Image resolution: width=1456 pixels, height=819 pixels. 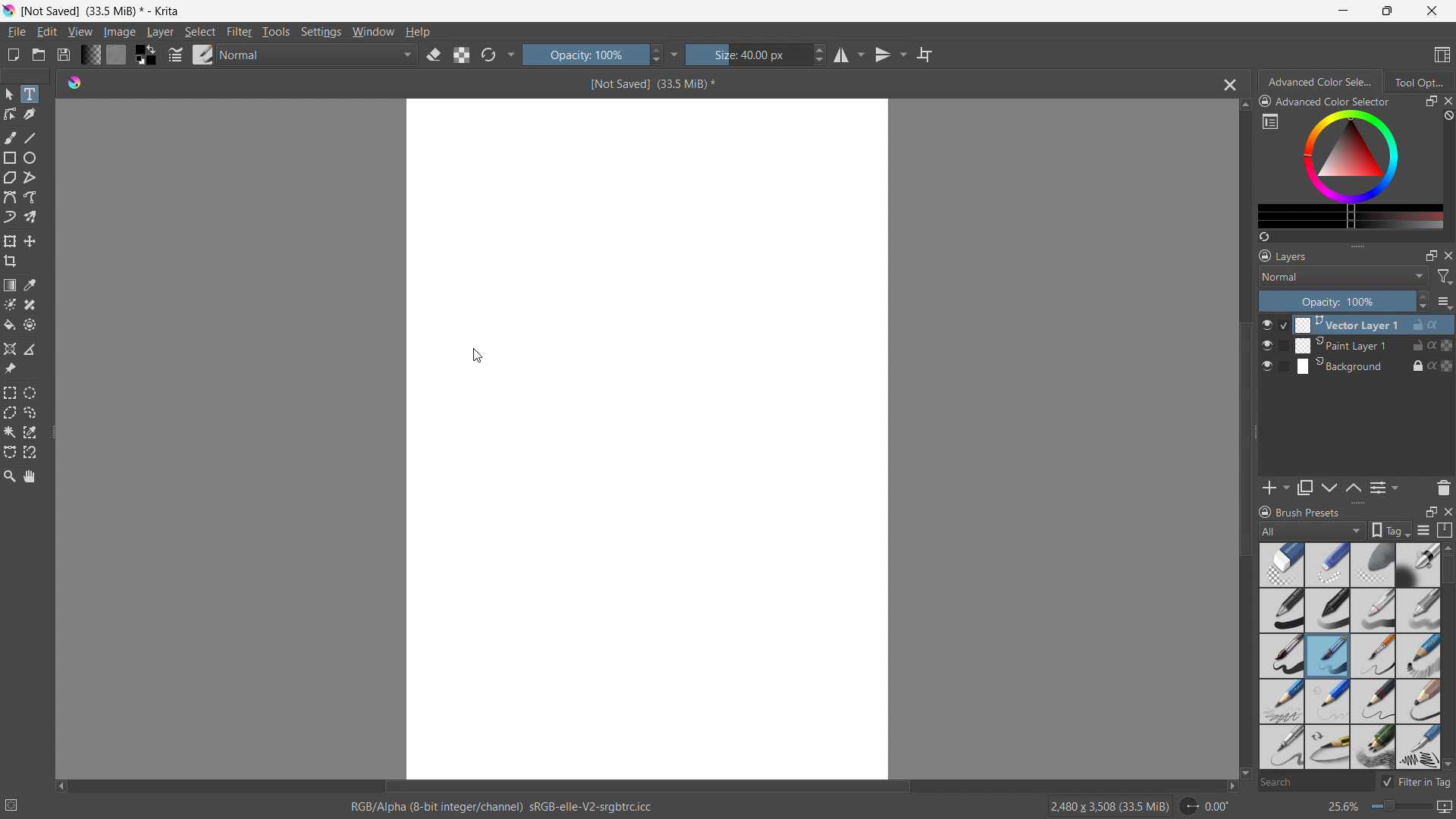 What do you see at coordinates (1430, 511) in the screenshot?
I see `maximize` at bounding box center [1430, 511].